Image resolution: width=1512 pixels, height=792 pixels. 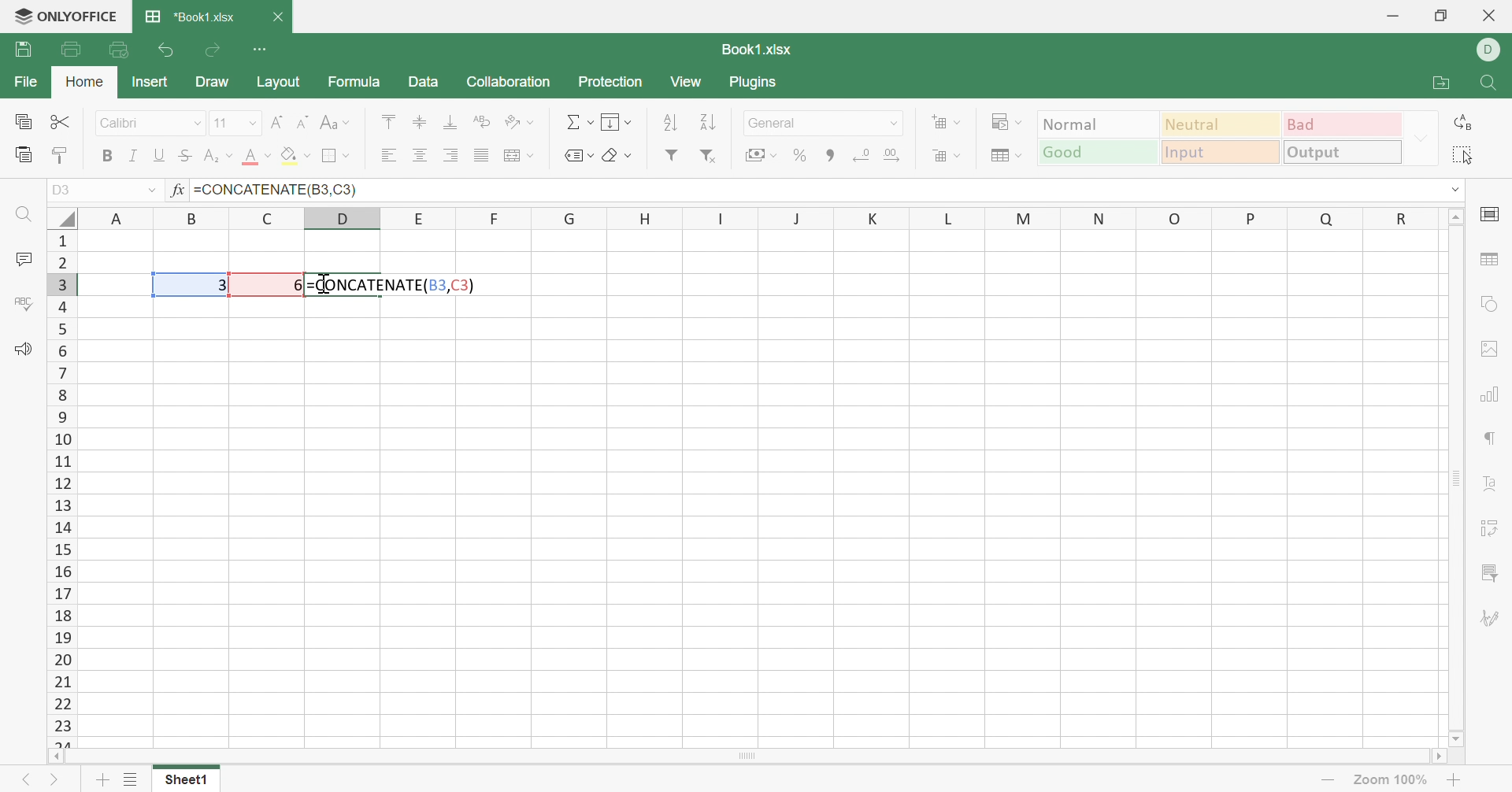 What do you see at coordinates (746, 757) in the screenshot?
I see `Scroll bar` at bounding box center [746, 757].